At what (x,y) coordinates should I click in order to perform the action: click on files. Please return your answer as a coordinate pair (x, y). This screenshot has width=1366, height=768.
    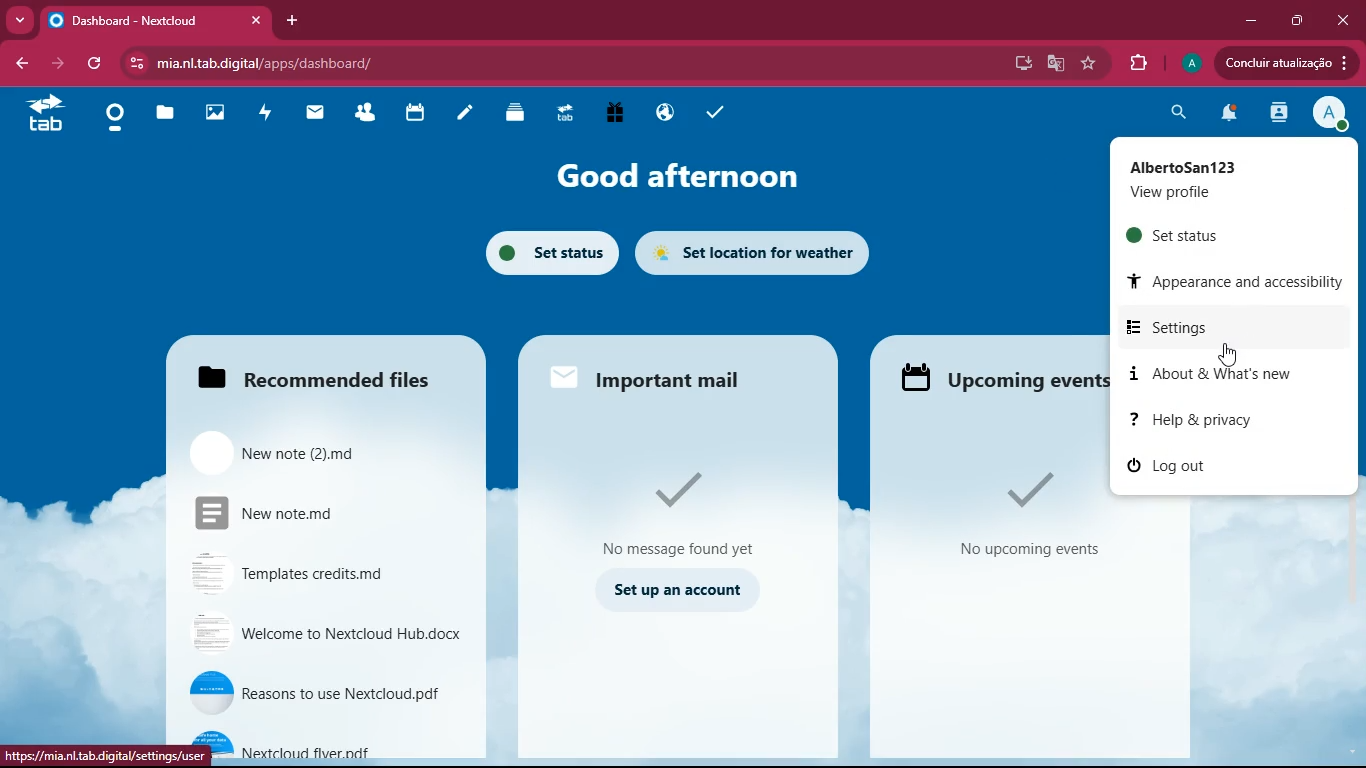
    Looking at the image, I should click on (163, 115).